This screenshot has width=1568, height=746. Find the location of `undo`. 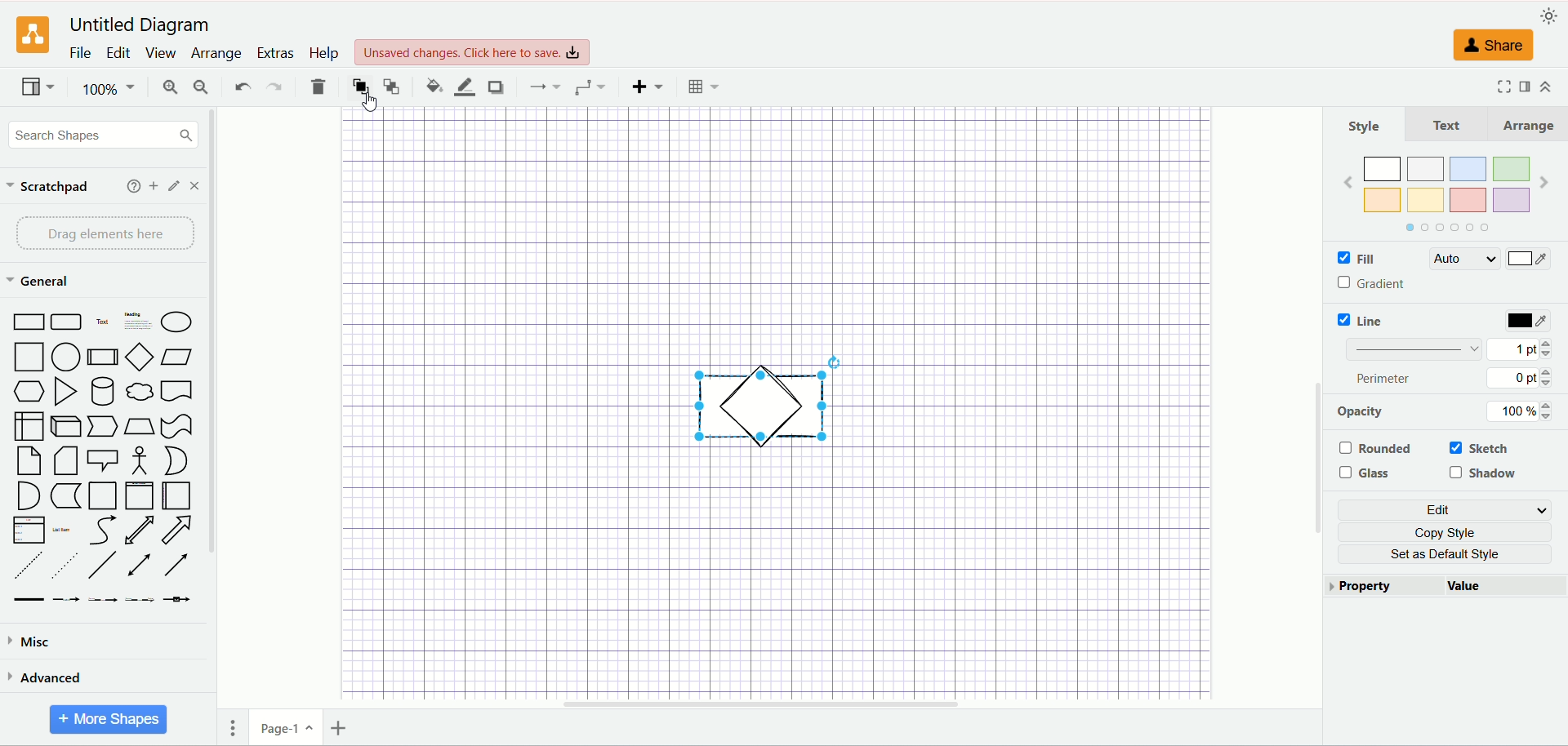

undo is located at coordinates (241, 87).